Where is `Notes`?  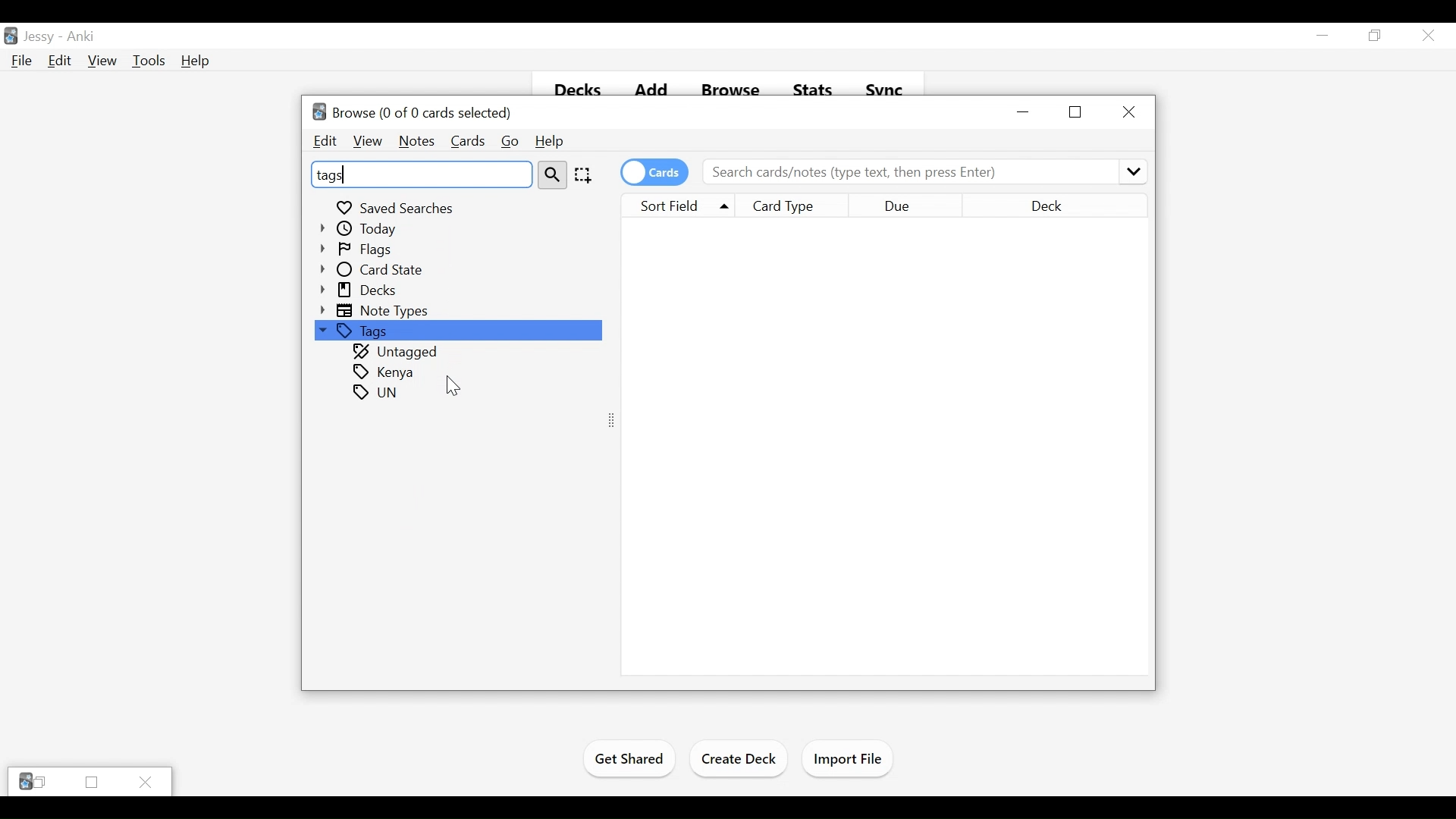 Notes is located at coordinates (416, 142).